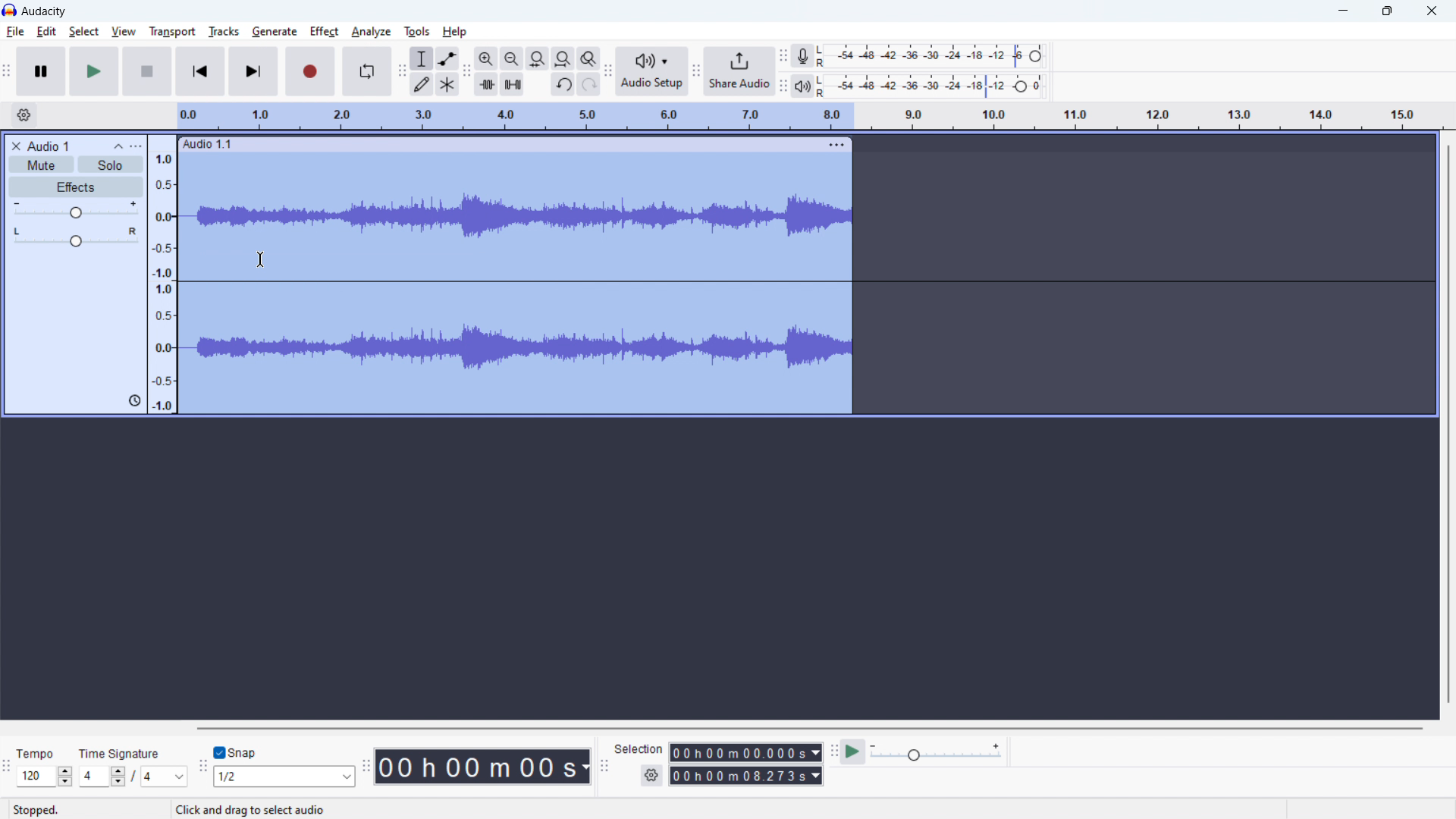  What do you see at coordinates (371, 32) in the screenshot?
I see `analyse` at bounding box center [371, 32].